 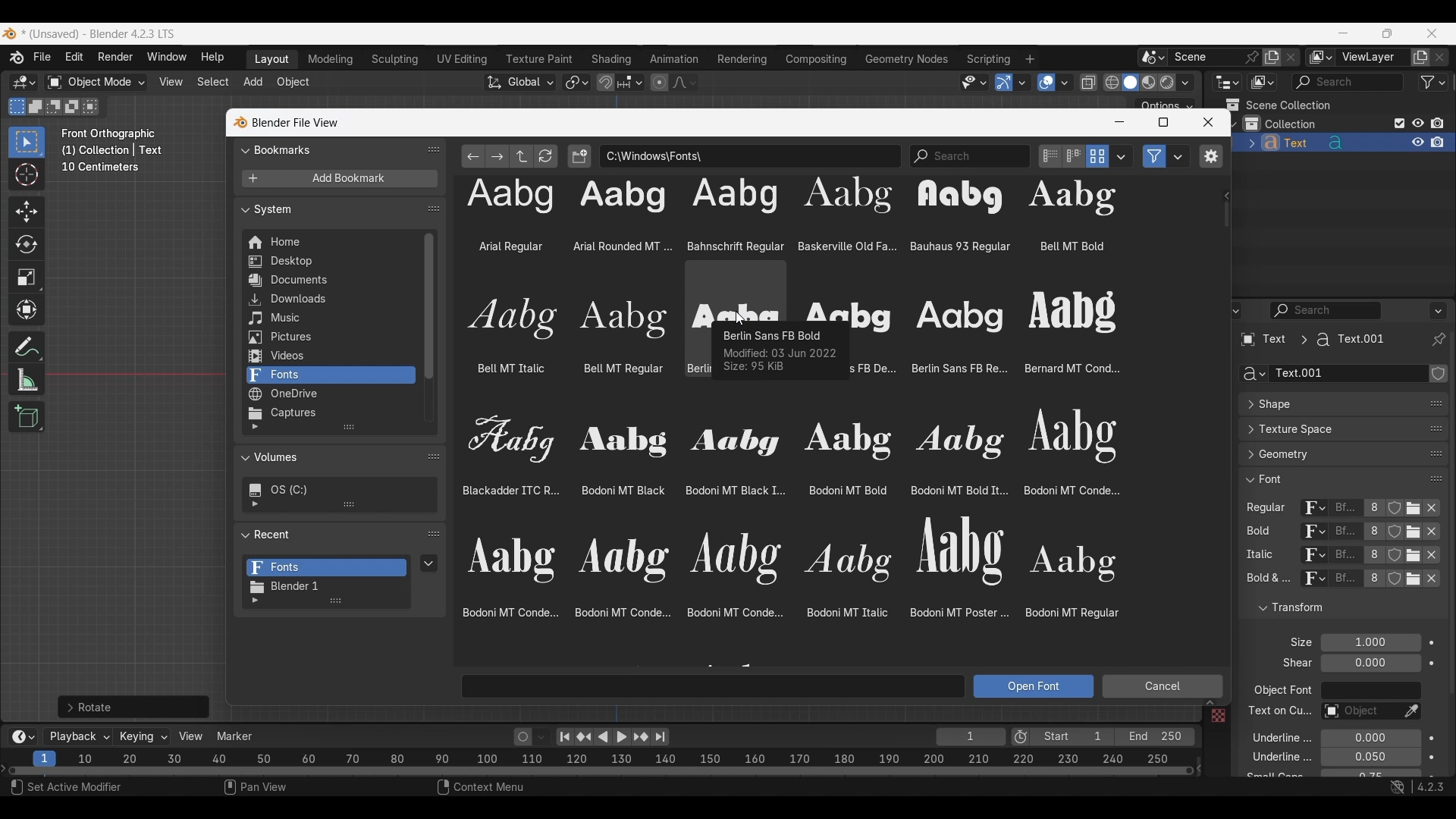 What do you see at coordinates (434, 209) in the screenshot?
I see `Change order in list` at bounding box center [434, 209].